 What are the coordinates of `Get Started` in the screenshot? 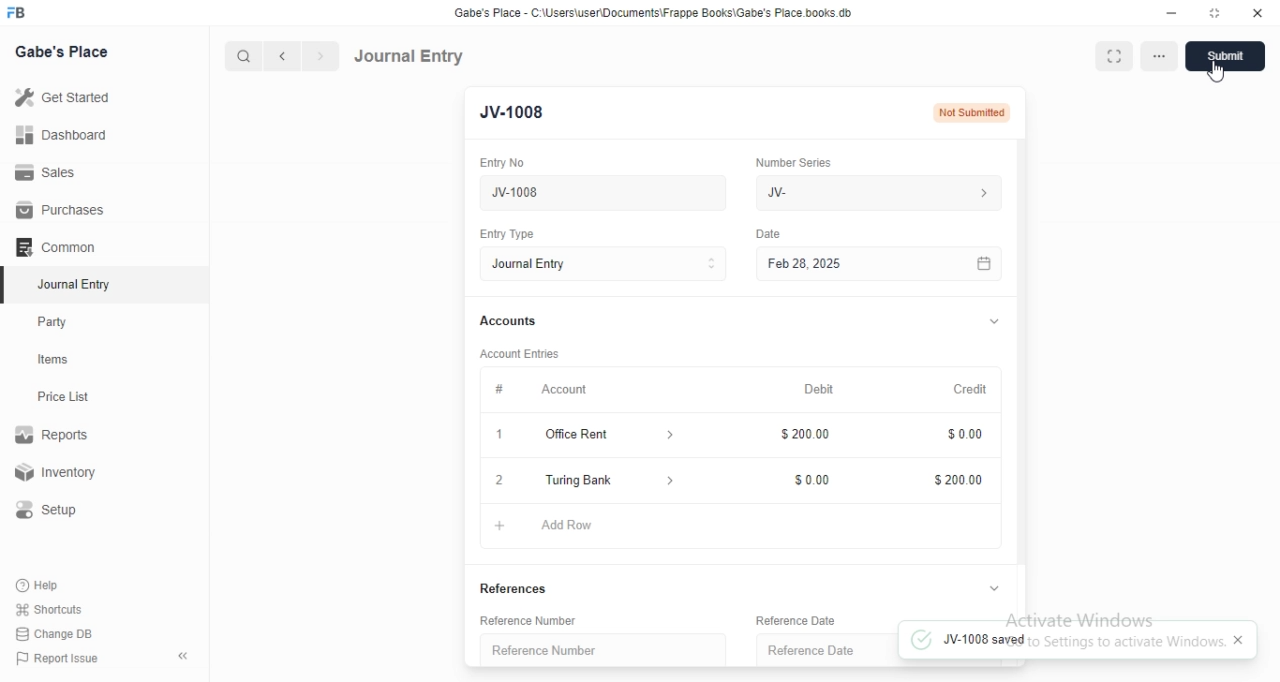 It's located at (61, 99).